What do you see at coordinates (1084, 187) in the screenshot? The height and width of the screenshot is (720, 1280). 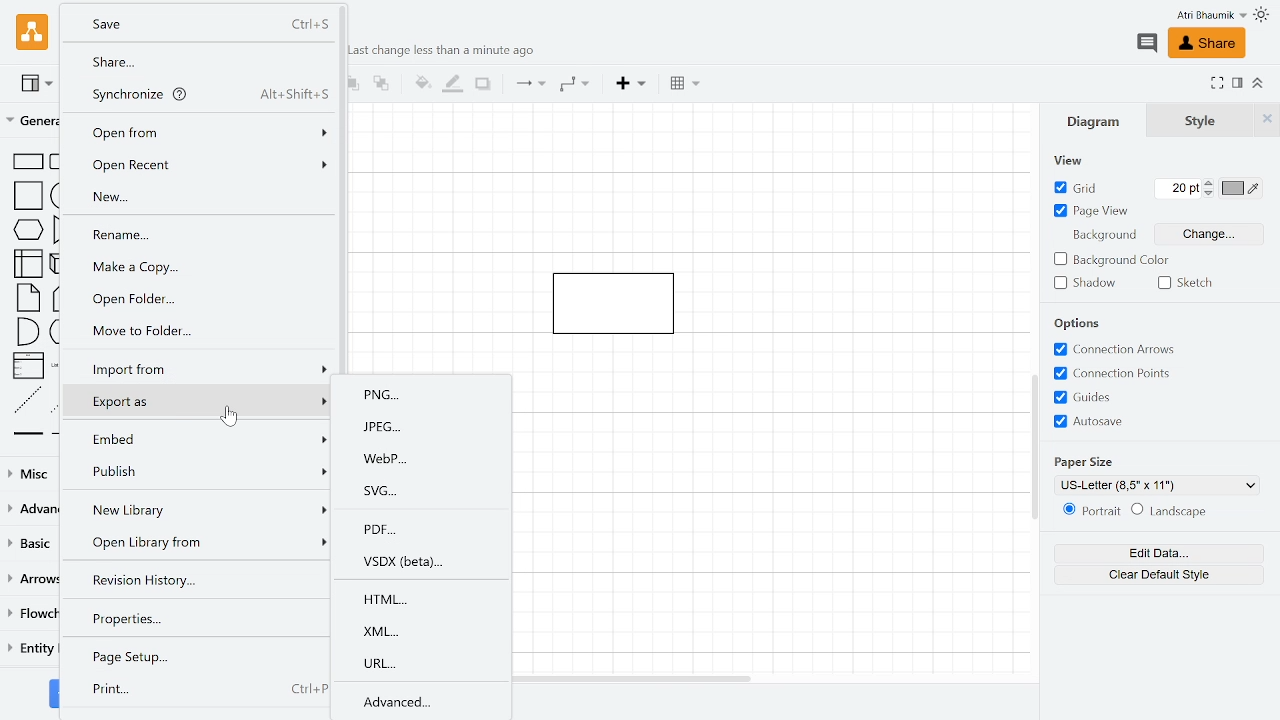 I see `Grid` at bounding box center [1084, 187].